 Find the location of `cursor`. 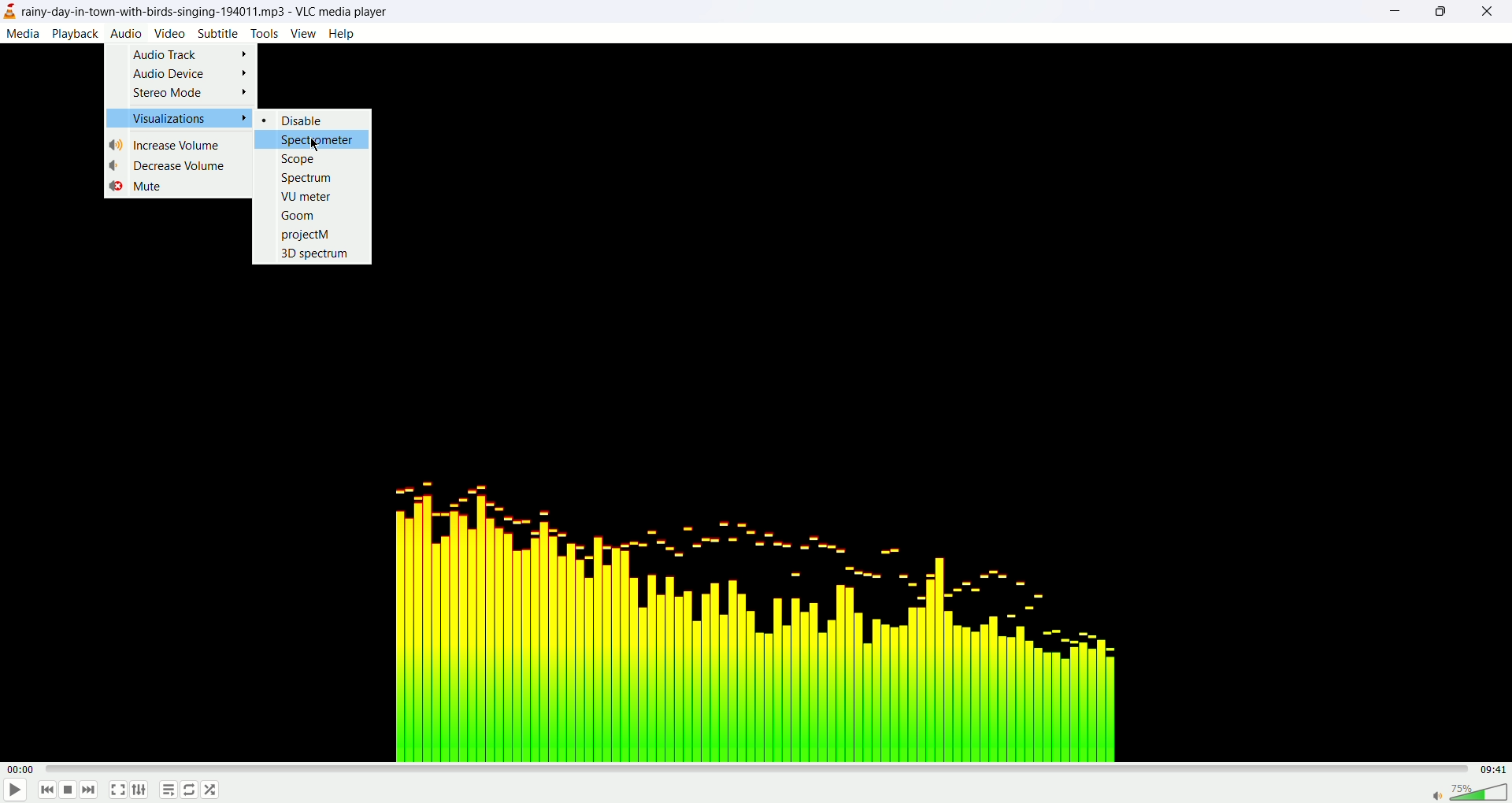

cursor is located at coordinates (320, 146).